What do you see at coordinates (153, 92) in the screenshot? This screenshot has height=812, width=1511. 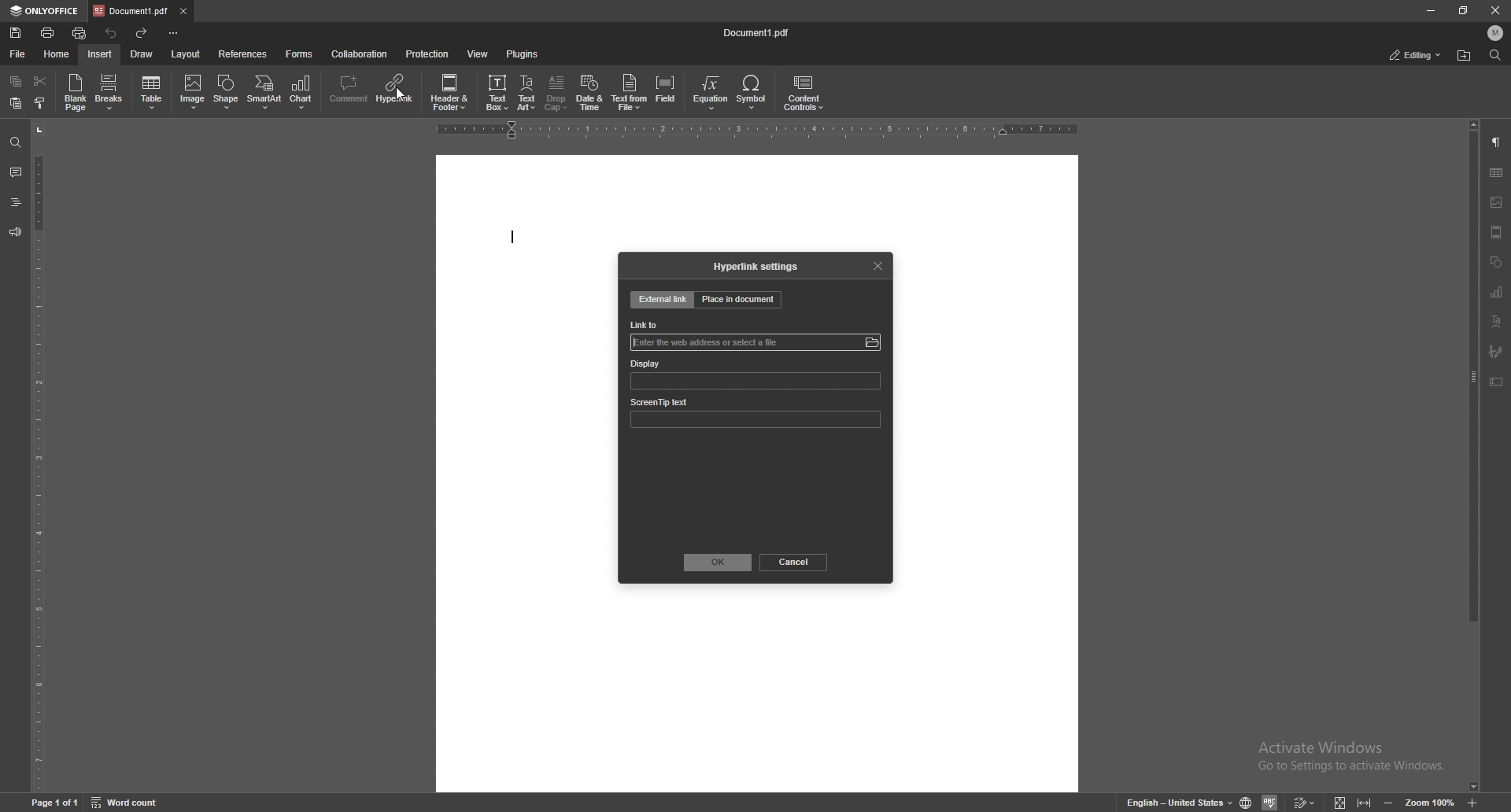 I see `table` at bounding box center [153, 92].